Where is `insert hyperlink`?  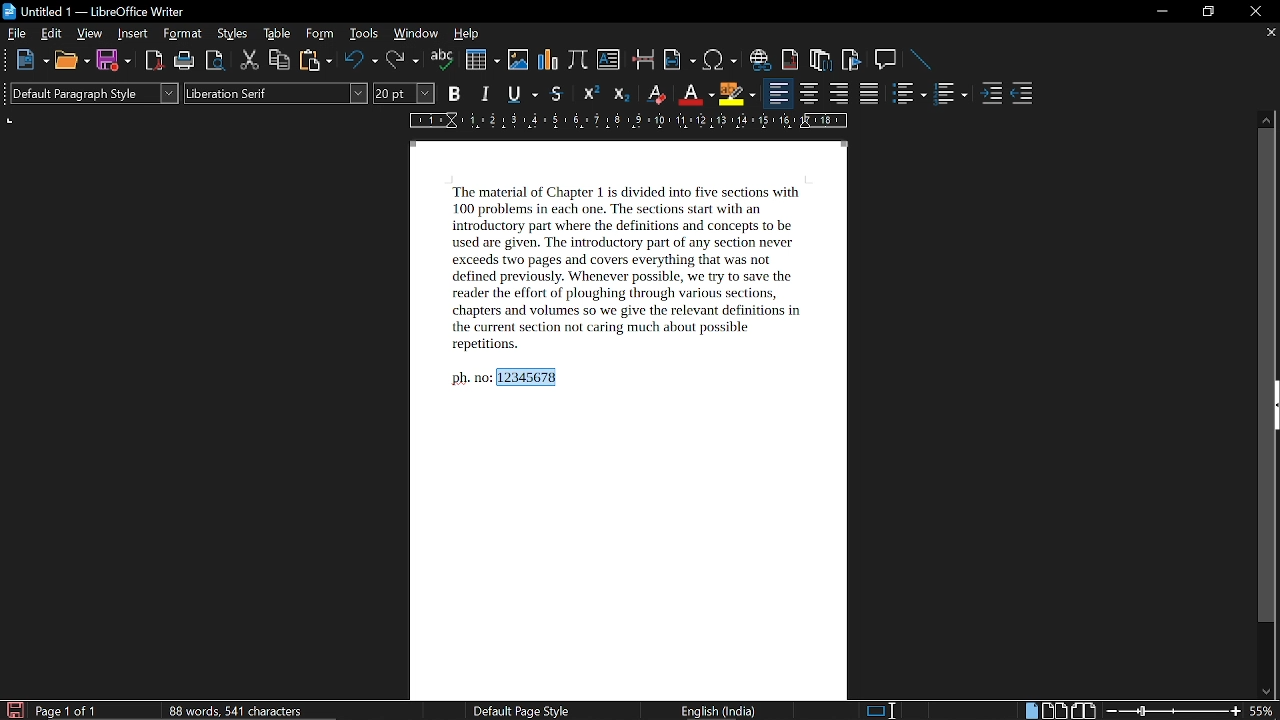
insert hyperlink is located at coordinates (758, 59).